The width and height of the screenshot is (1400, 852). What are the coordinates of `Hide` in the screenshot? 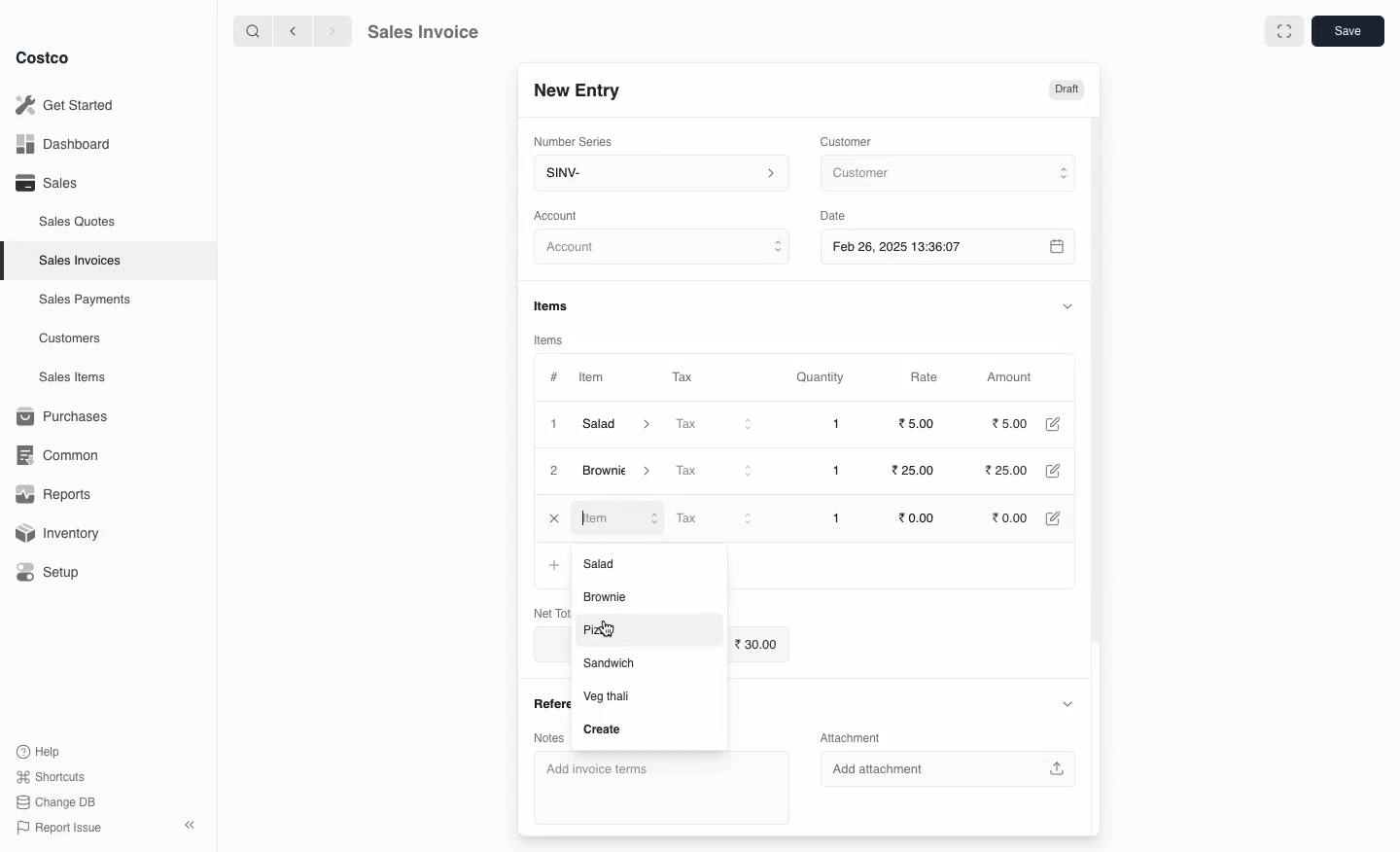 It's located at (1067, 305).